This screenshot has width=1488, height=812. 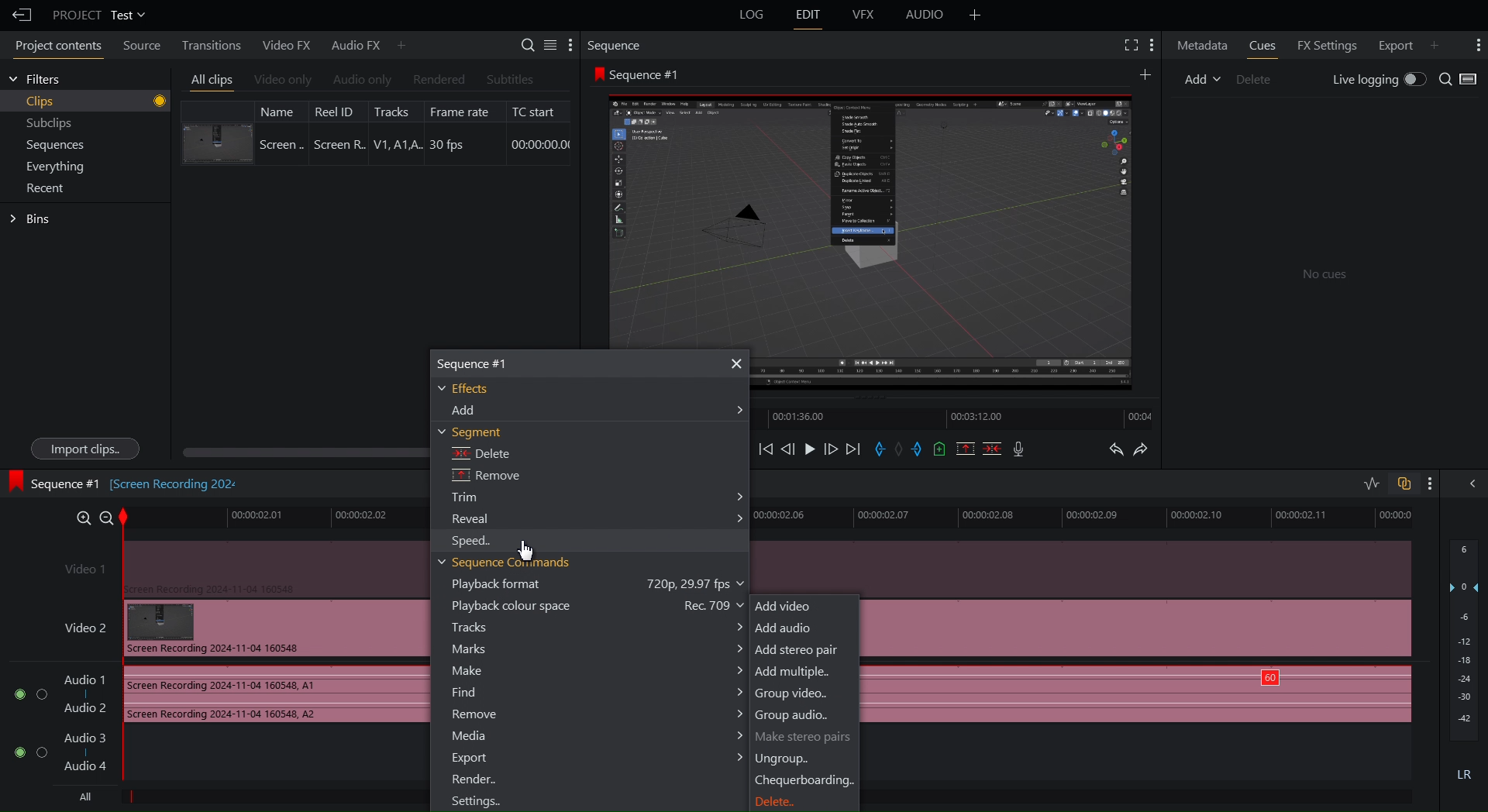 What do you see at coordinates (283, 81) in the screenshot?
I see `Video Only` at bounding box center [283, 81].